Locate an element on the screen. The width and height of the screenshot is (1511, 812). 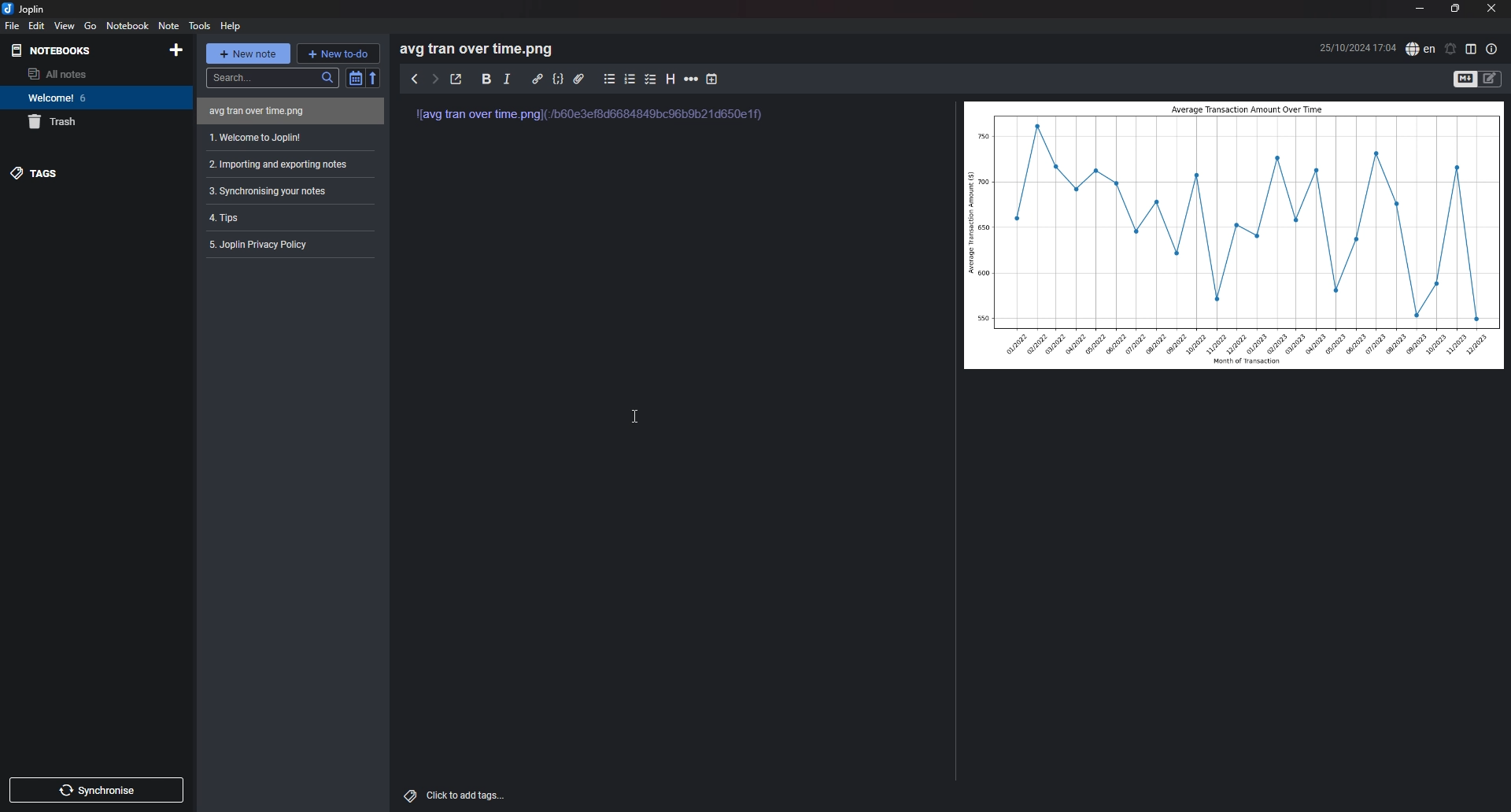
Average transaction Overtime Graph is located at coordinates (1234, 235).